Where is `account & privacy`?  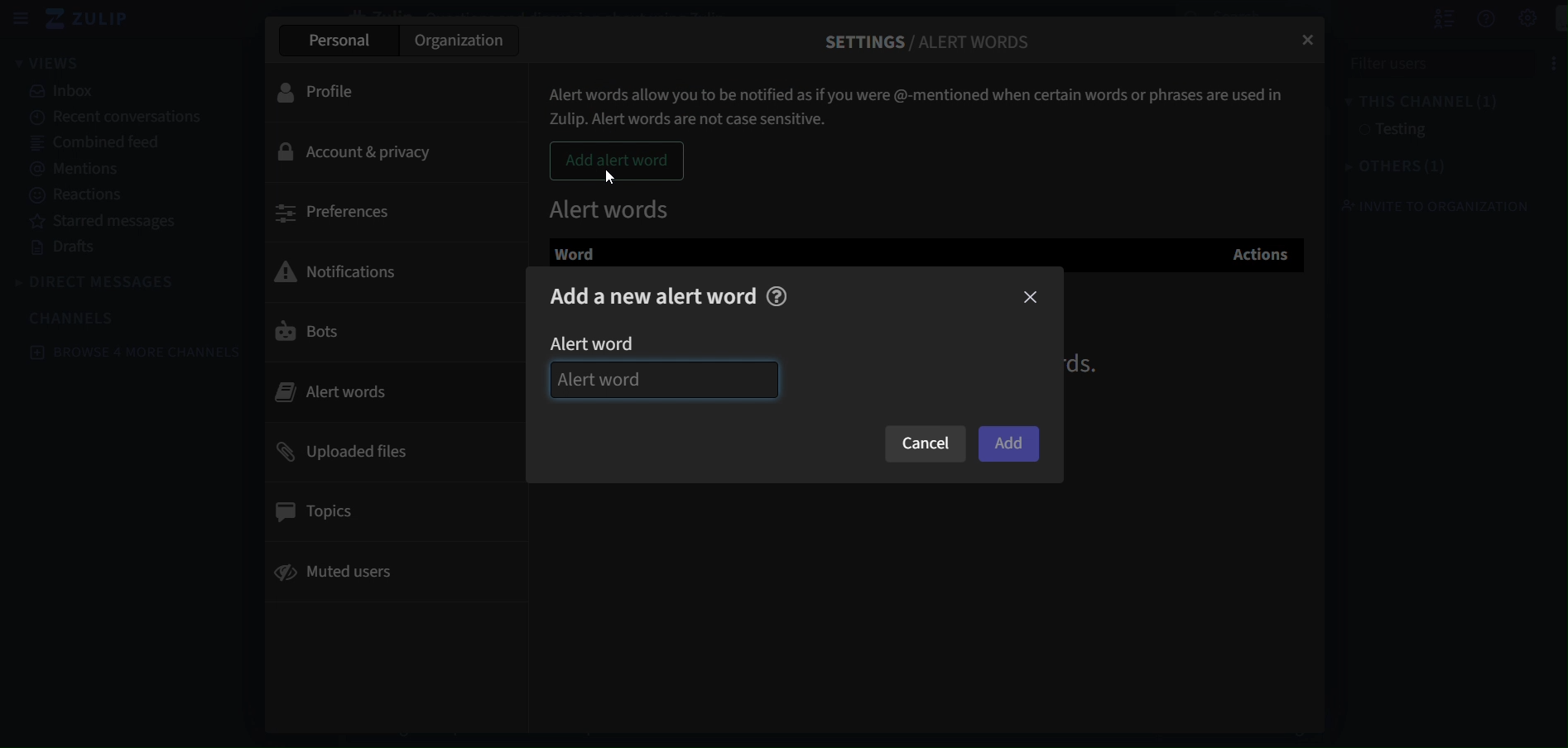
account & privacy is located at coordinates (362, 152).